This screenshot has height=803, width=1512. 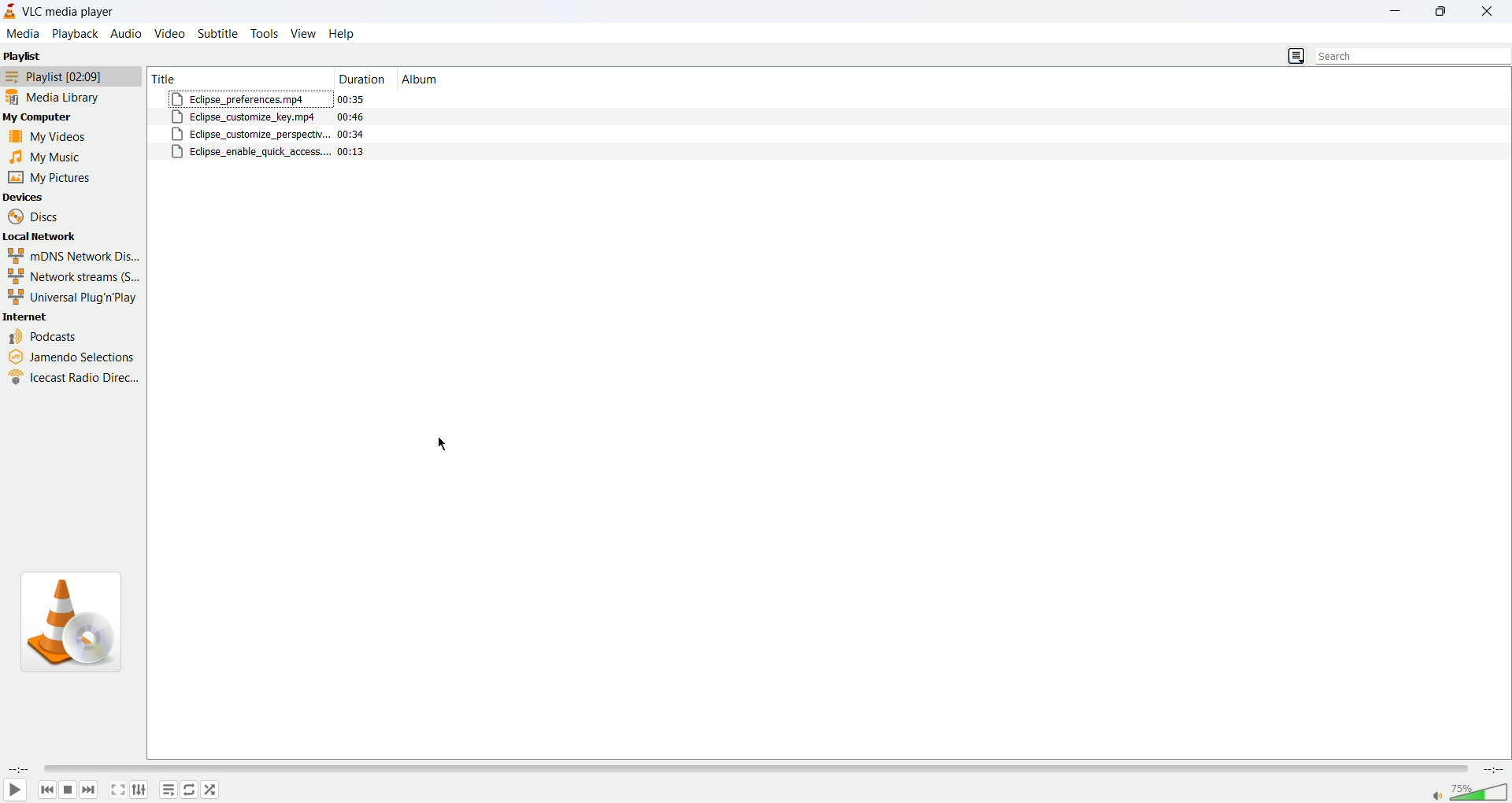 What do you see at coordinates (139, 790) in the screenshot?
I see `extended settings` at bounding box center [139, 790].